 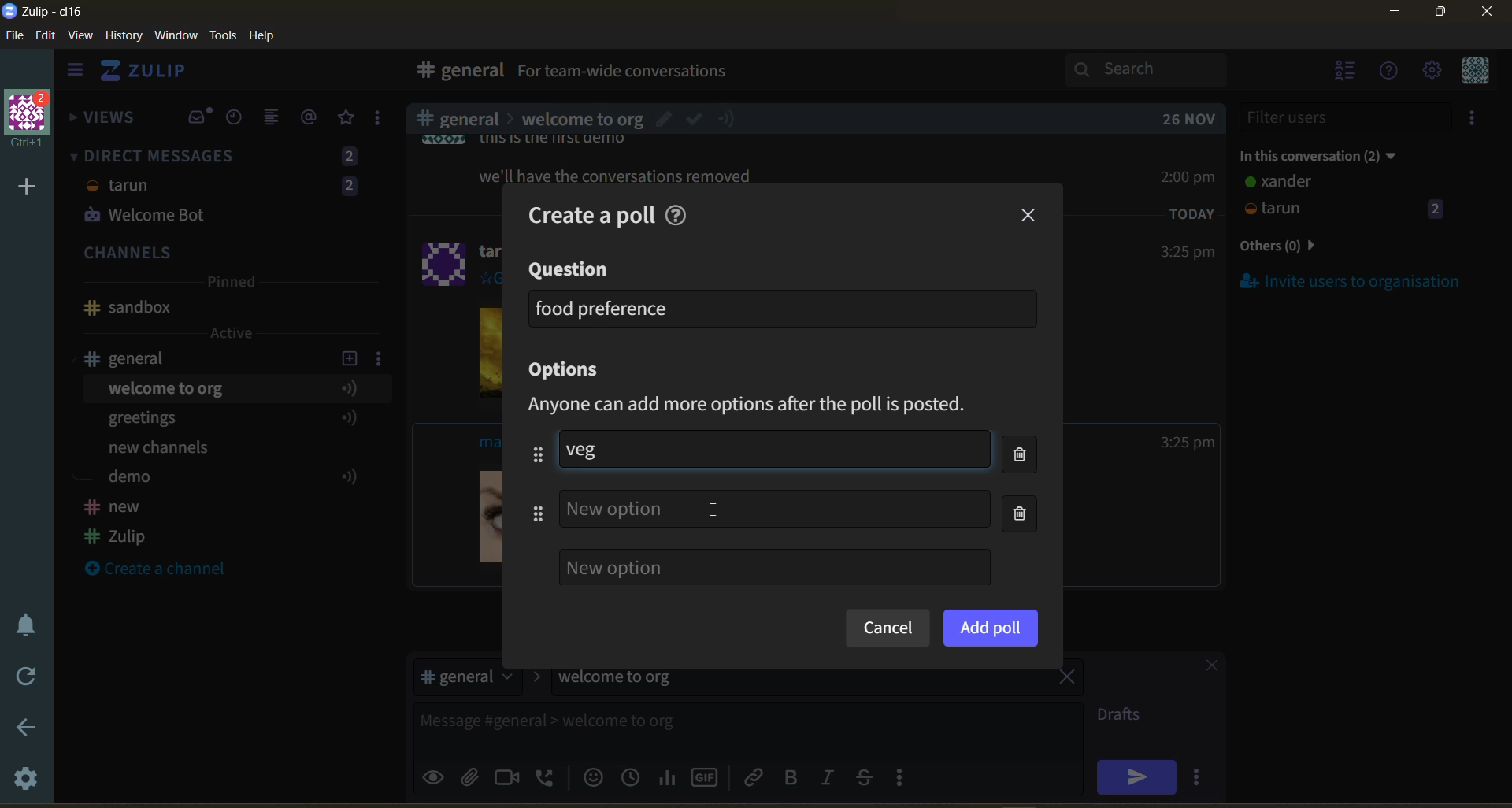 I want to click on edit, so click(x=46, y=37).